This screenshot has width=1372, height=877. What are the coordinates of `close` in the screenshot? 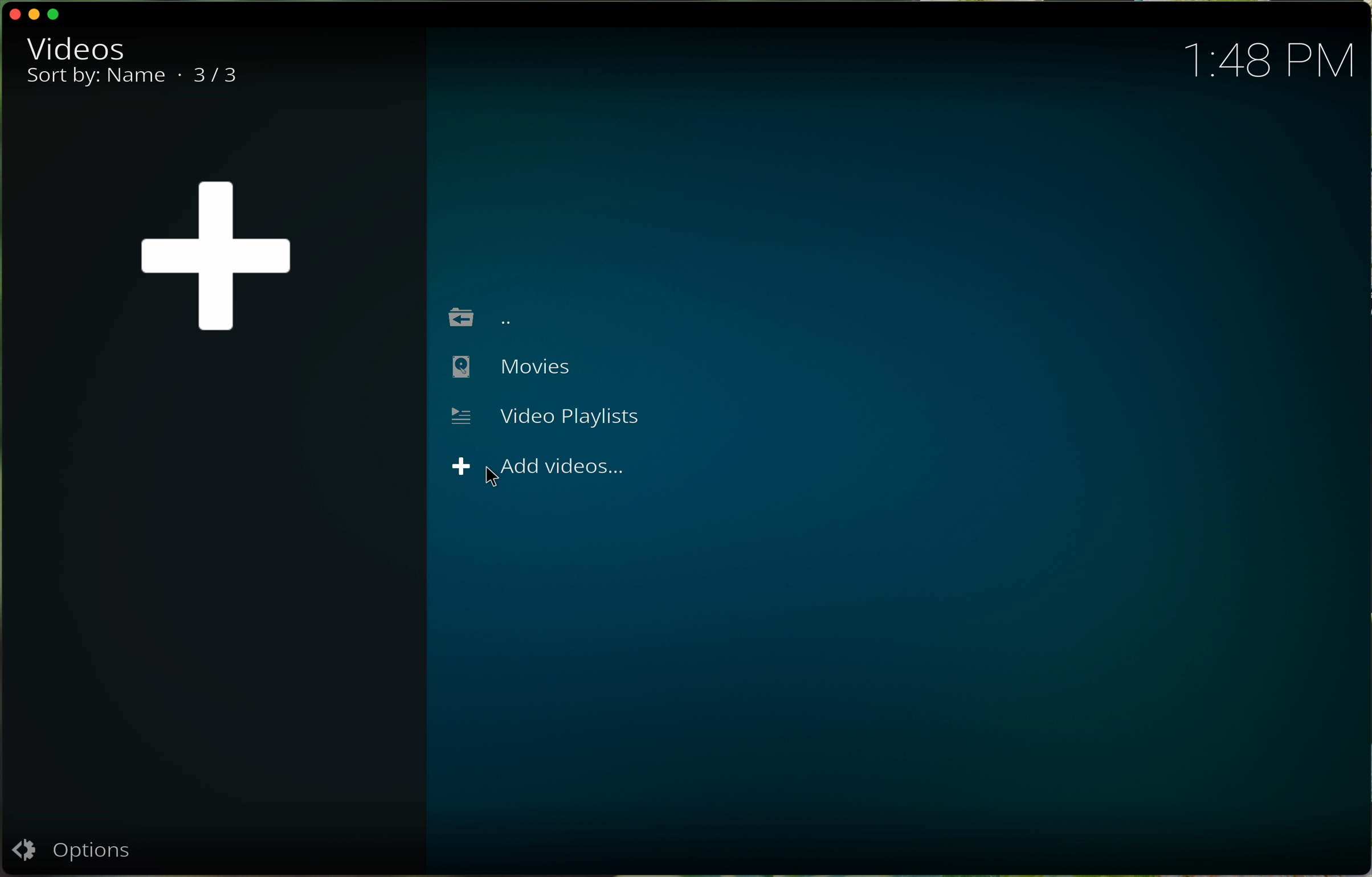 It's located at (12, 14).